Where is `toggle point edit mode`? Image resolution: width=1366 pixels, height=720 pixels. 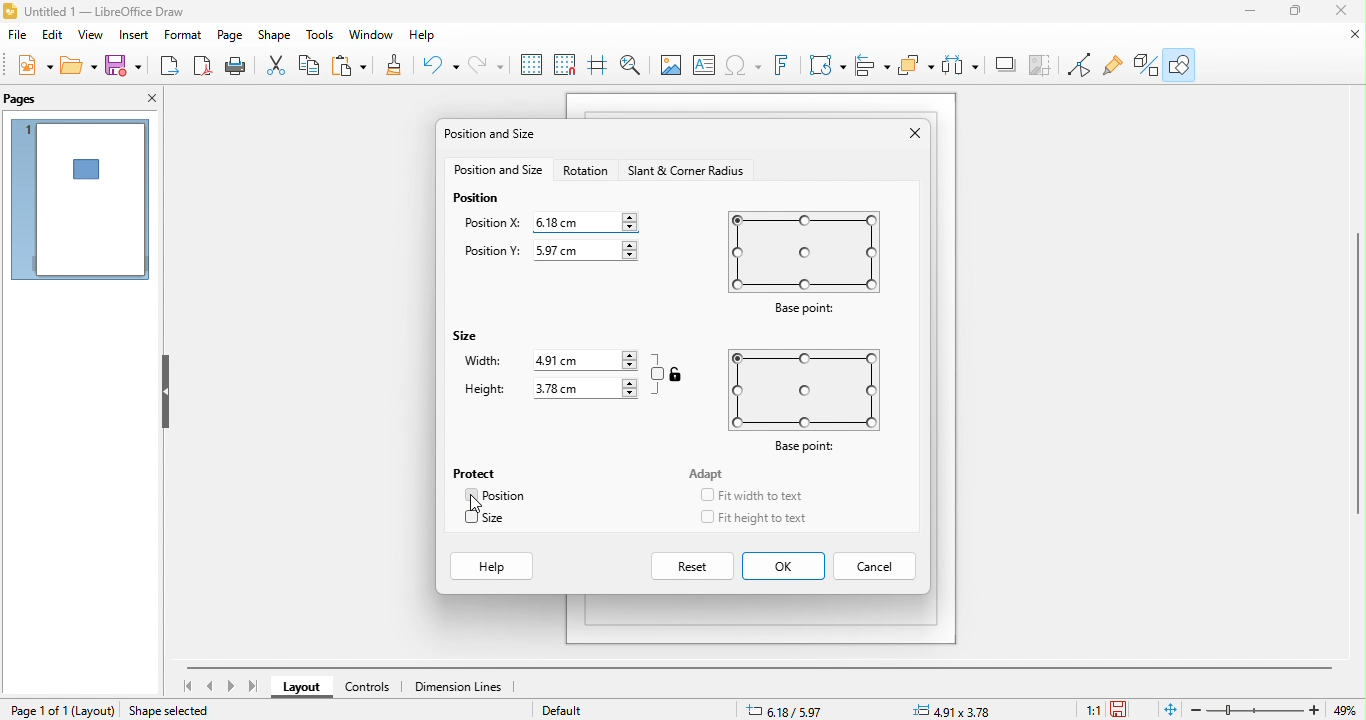
toggle point edit mode is located at coordinates (1081, 66).